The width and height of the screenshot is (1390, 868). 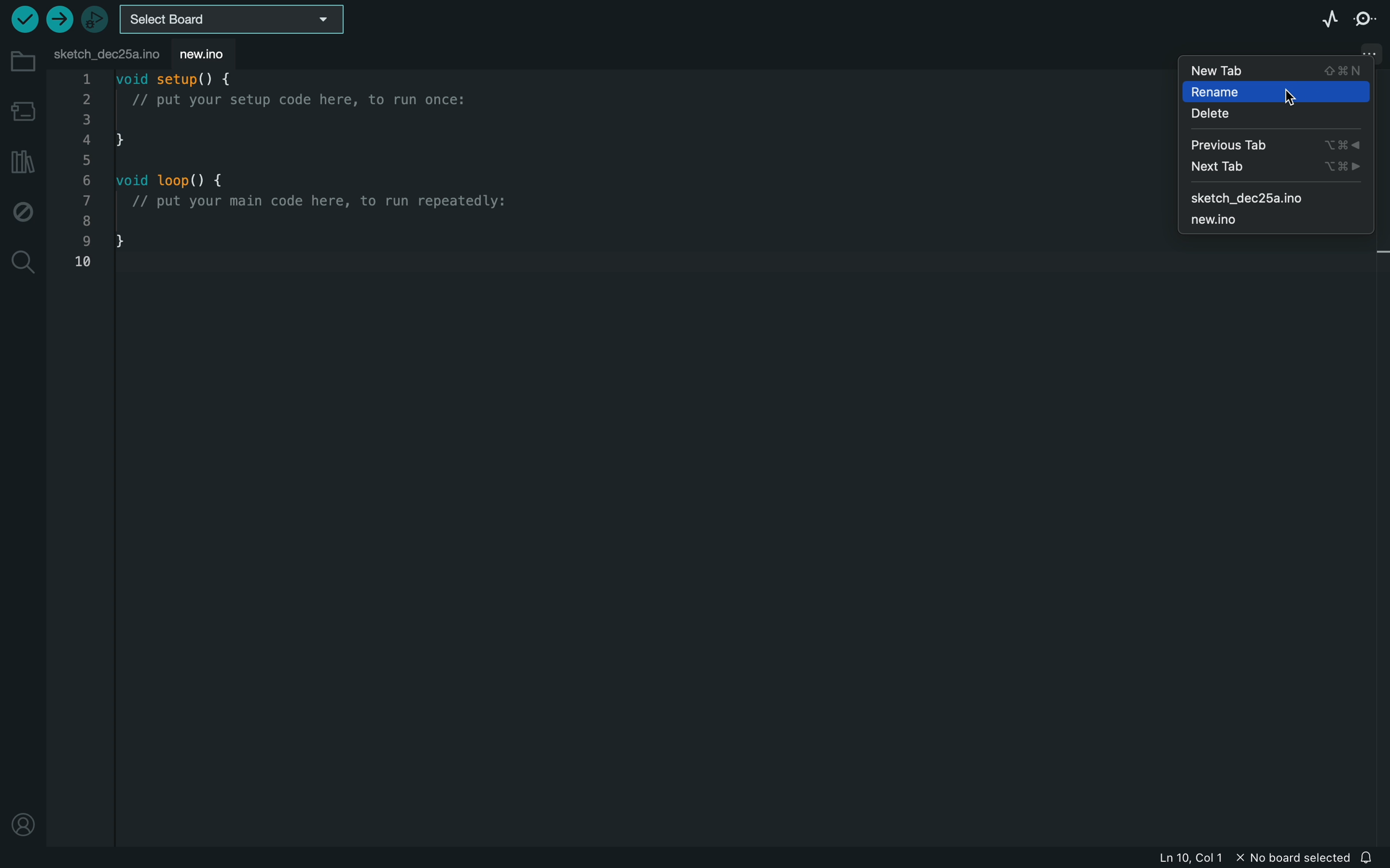 What do you see at coordinates (1256, 859) in the screenshot?
I see `file information` at bounding box center [1256, 859].